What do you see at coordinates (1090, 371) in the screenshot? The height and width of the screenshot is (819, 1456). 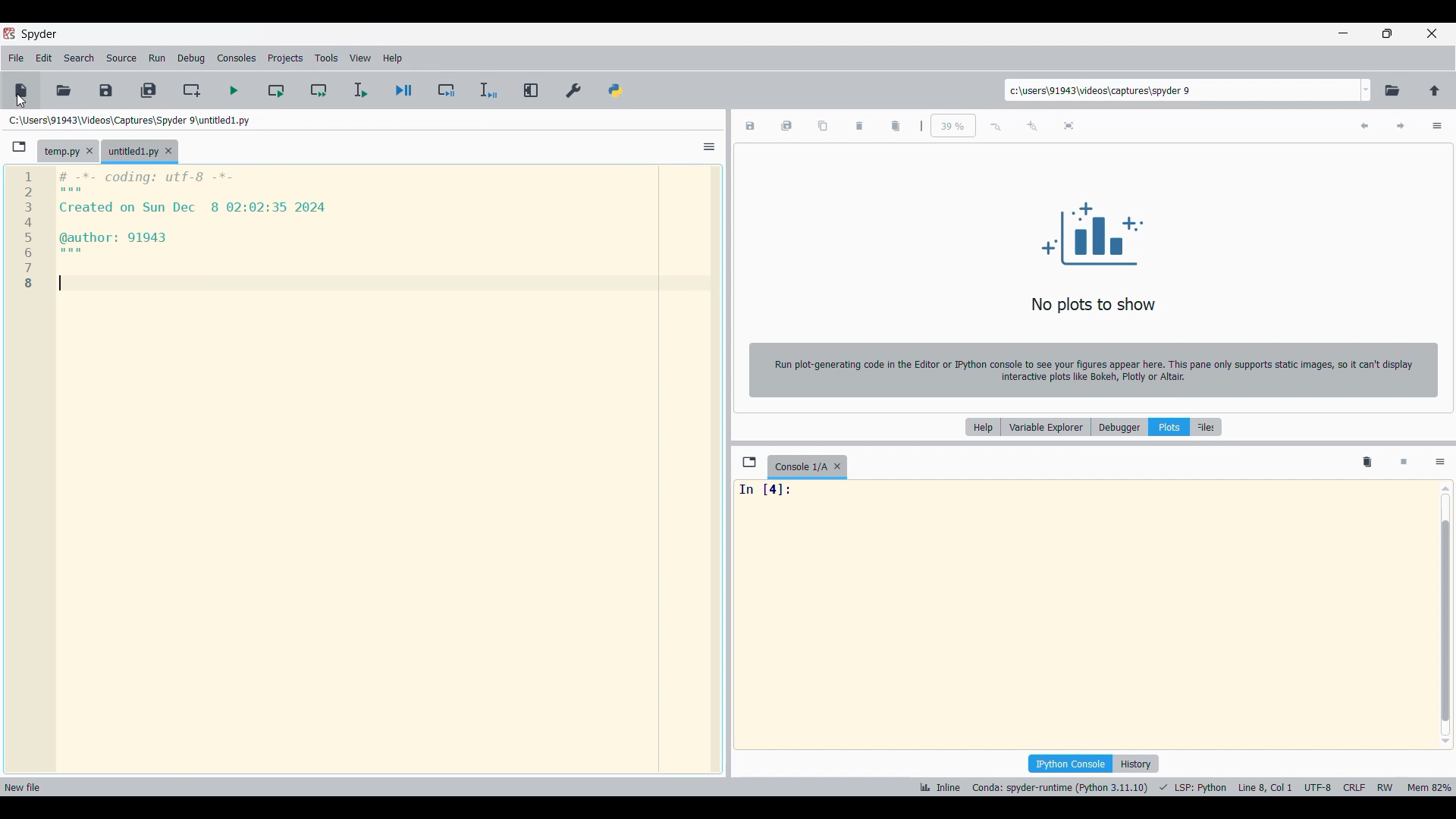 I see `Run plot-generating code in the Editor or IPython console to see your figures appear here. This pane only supports static images, so it can't display
interactive plots like Bokeh, Plotly or Altair` at bounding box center [1090, 371].